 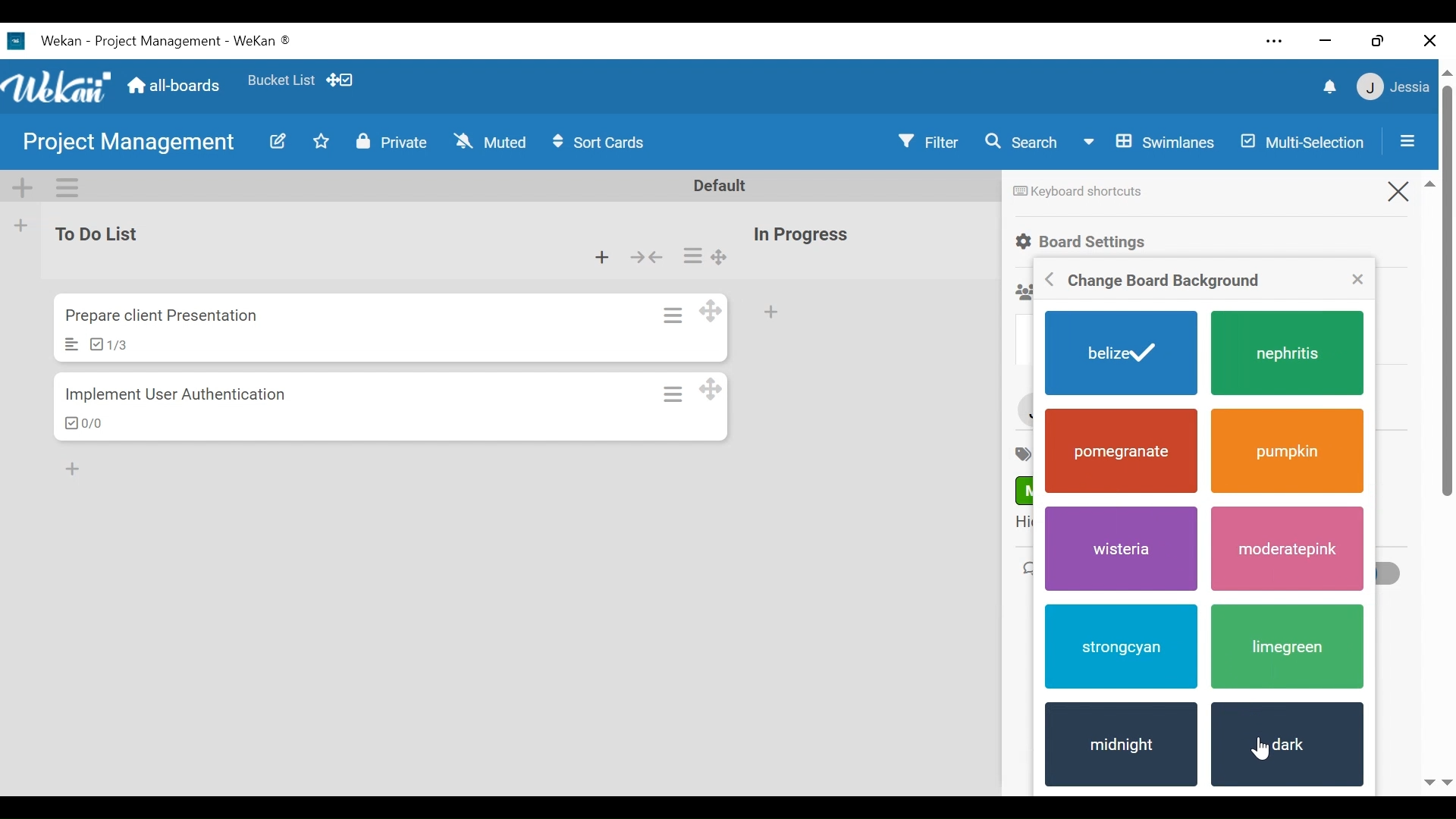 I want to click on Change, so click(x=1163, y=281).